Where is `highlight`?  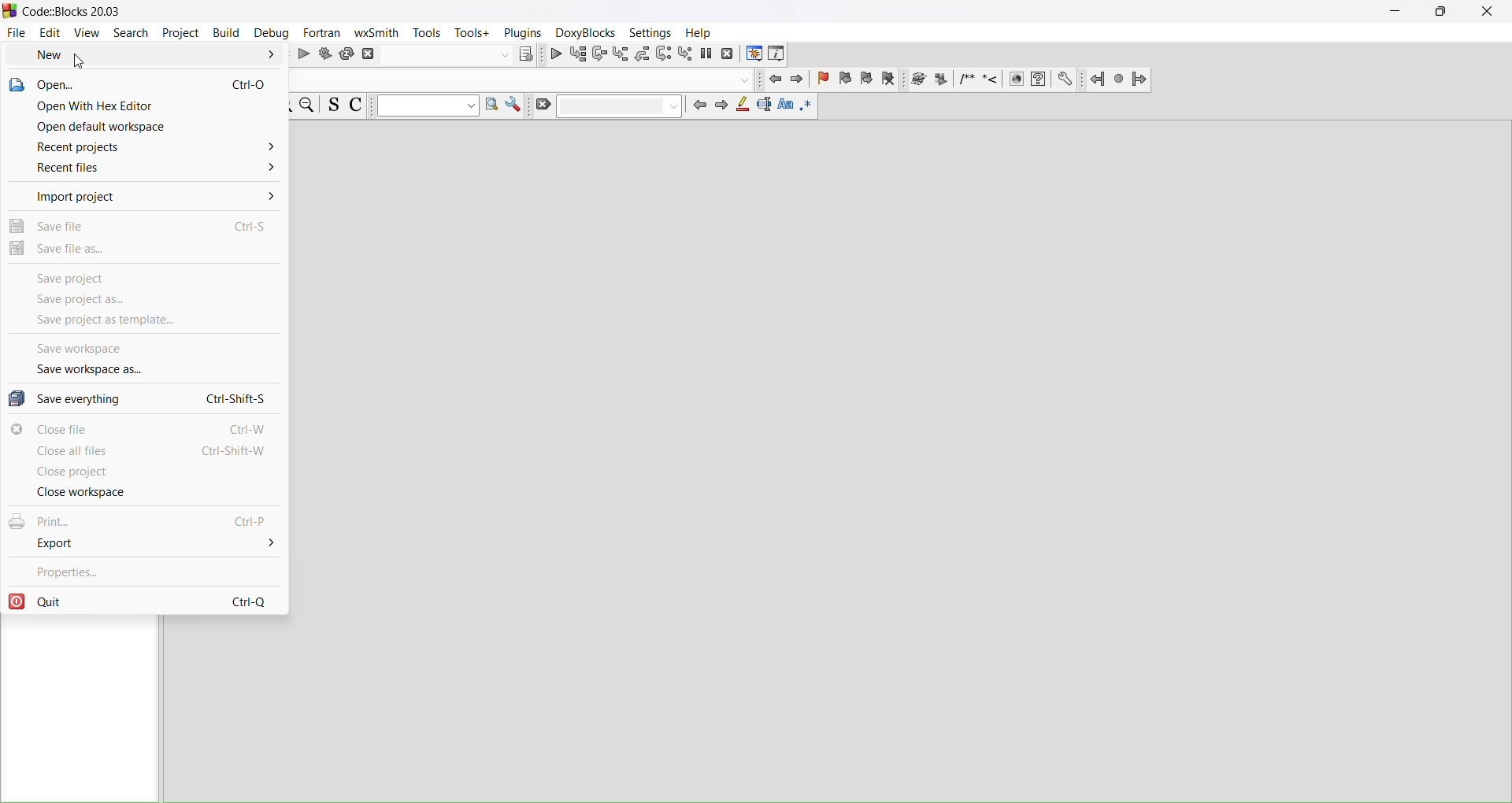
highlight is located at coordinates (745, 108).